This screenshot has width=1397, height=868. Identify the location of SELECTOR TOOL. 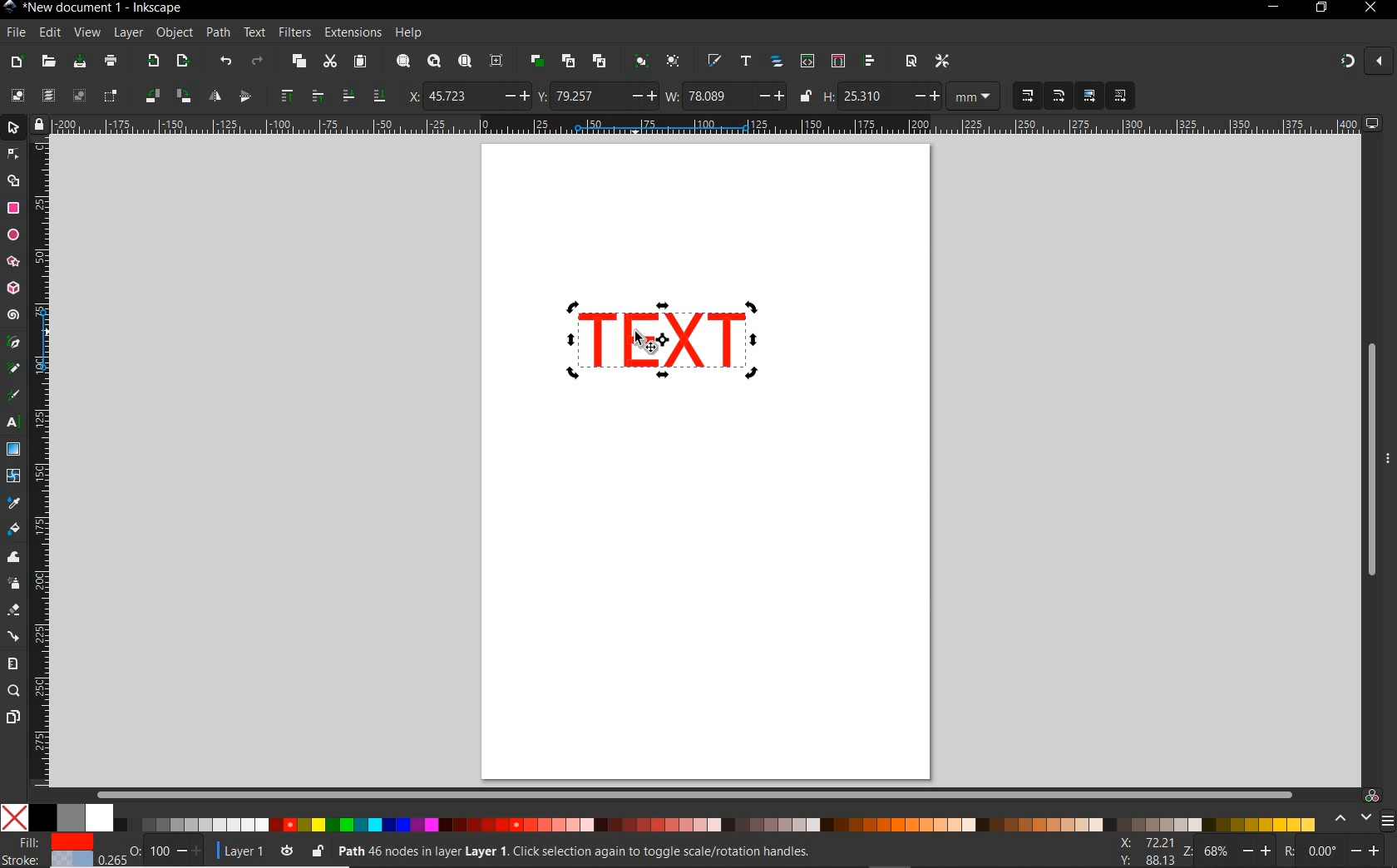
(14, 170).